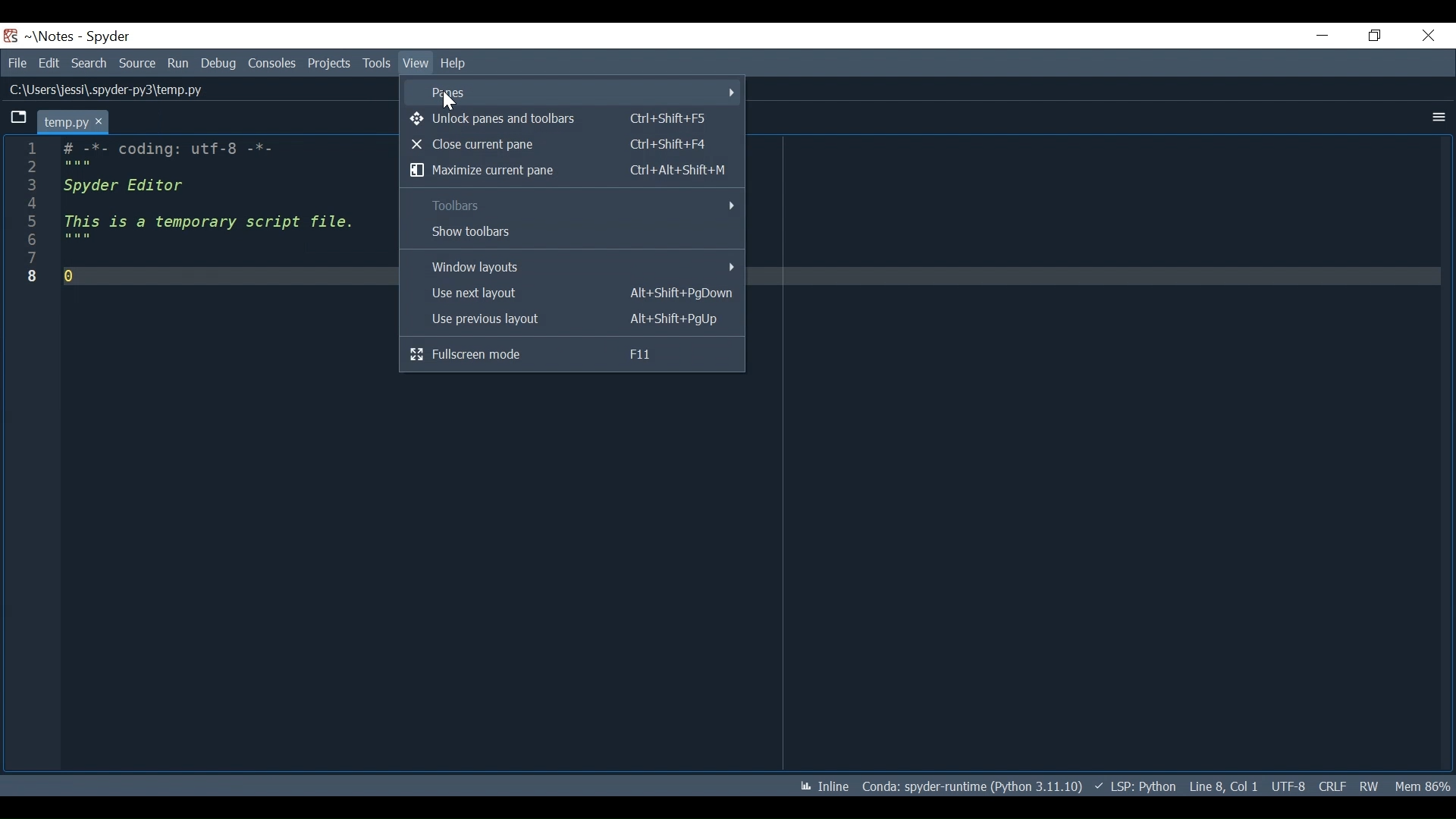 This screenshot has width=1456, height=819. Describe the element at coordinates (1136, 786) in the screenshot. I see `) v LSP: Python` at that location.